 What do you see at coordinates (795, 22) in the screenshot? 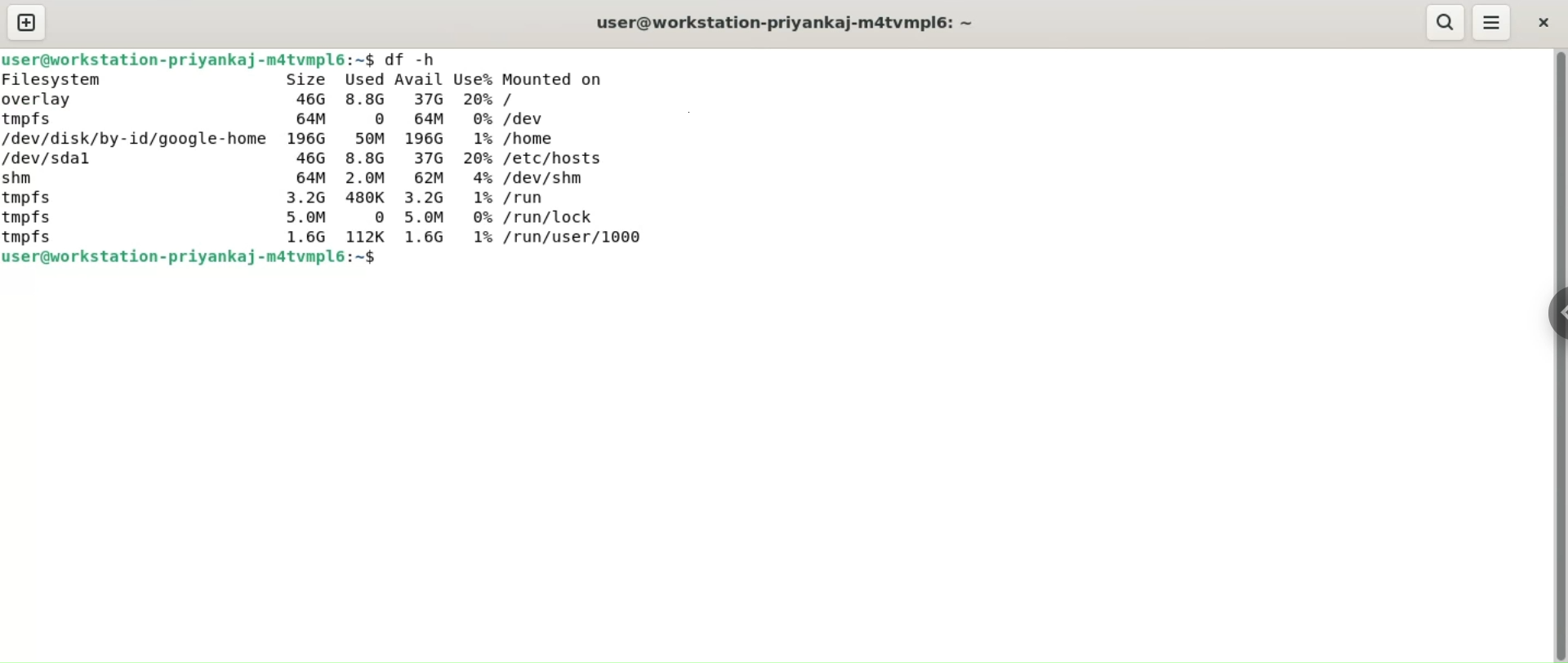
I see `user@workstation-priyankaj-m4tvmplé:~` at bounding box center [795, 22].